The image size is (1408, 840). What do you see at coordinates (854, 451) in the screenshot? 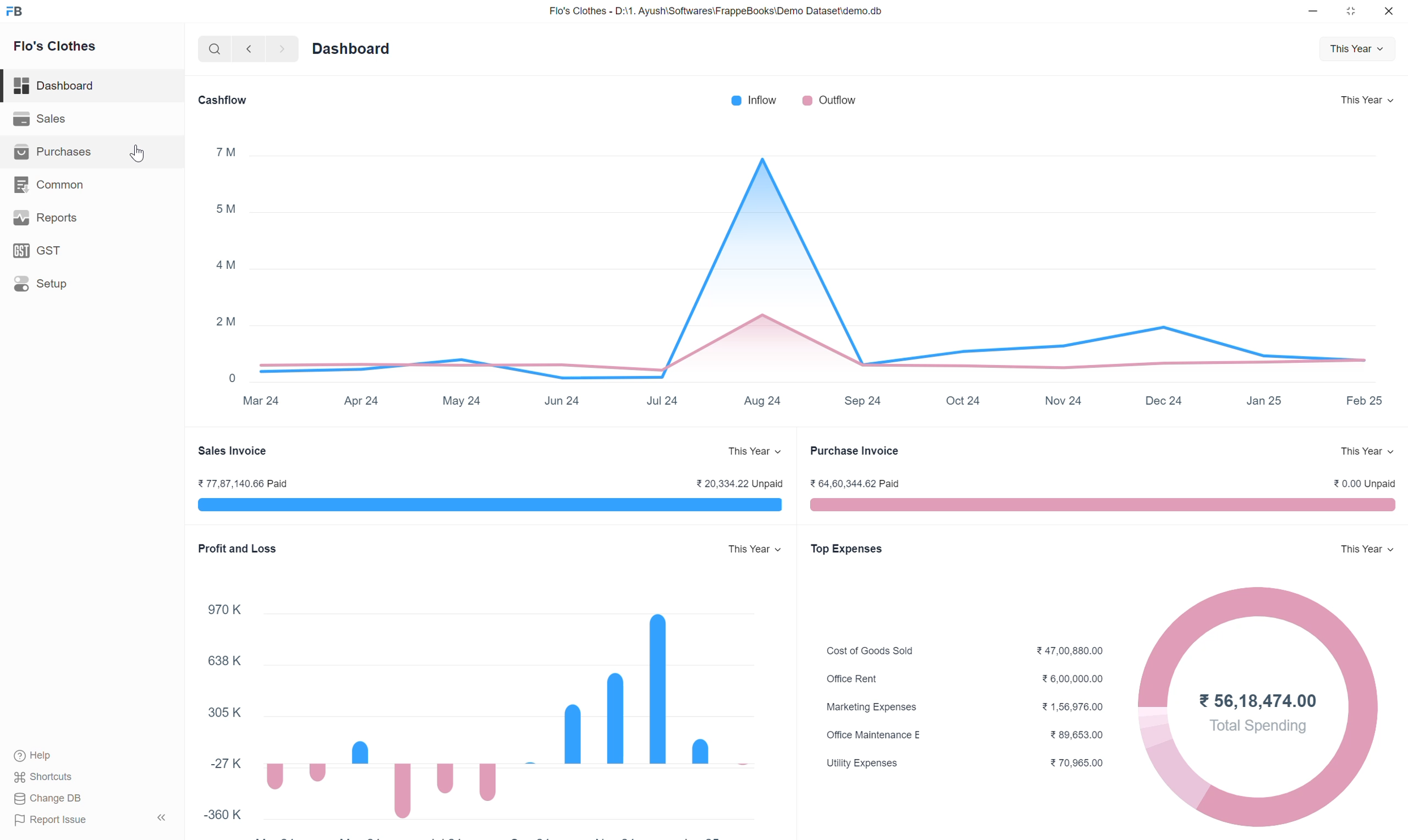
I see `Purchase Invoice` at bounding box center [854, 451].